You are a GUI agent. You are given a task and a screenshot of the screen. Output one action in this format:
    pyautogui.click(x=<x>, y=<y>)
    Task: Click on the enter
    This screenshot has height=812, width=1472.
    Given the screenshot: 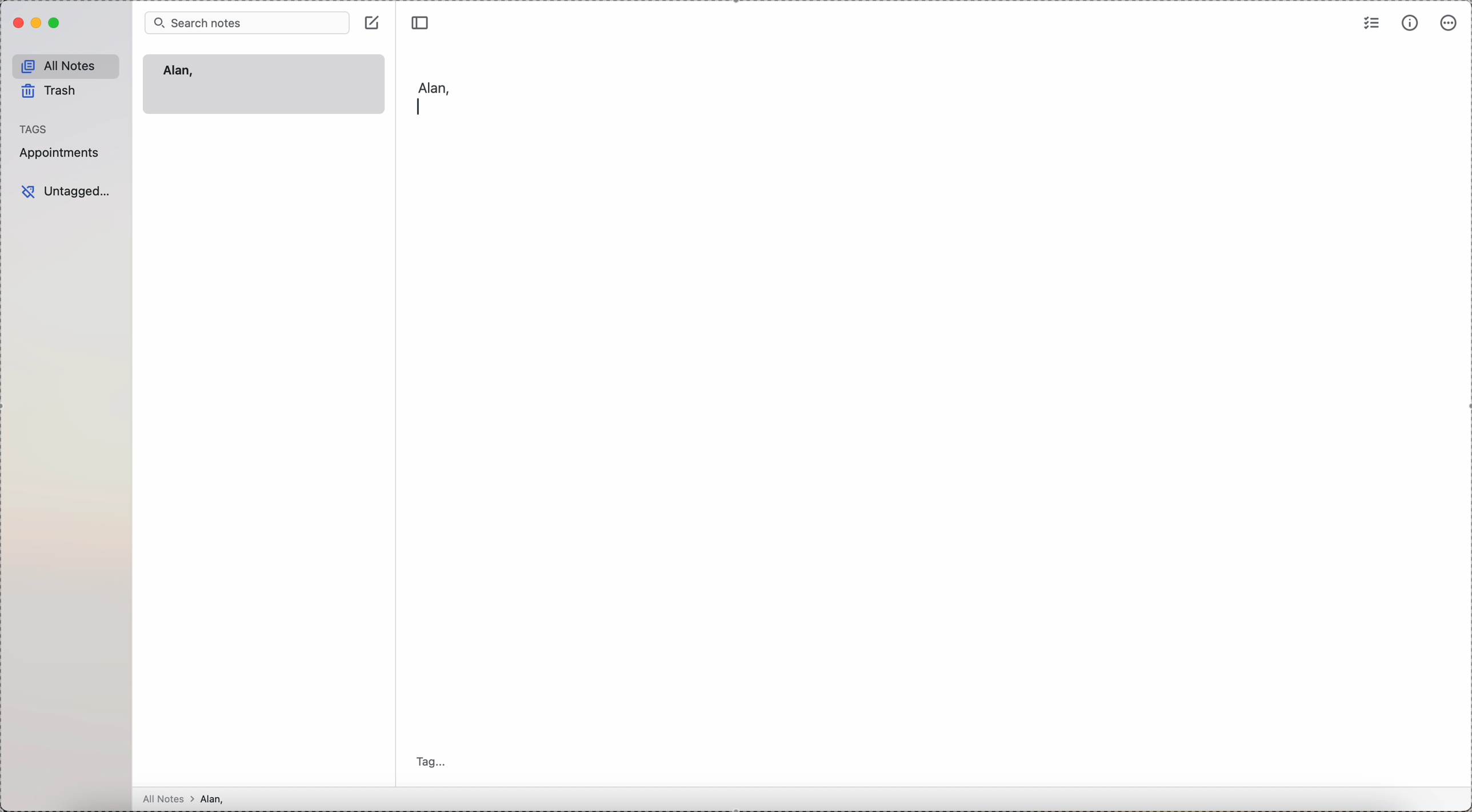 What is the action you would take?
    pyautogui.click(x=419, y=107)
    